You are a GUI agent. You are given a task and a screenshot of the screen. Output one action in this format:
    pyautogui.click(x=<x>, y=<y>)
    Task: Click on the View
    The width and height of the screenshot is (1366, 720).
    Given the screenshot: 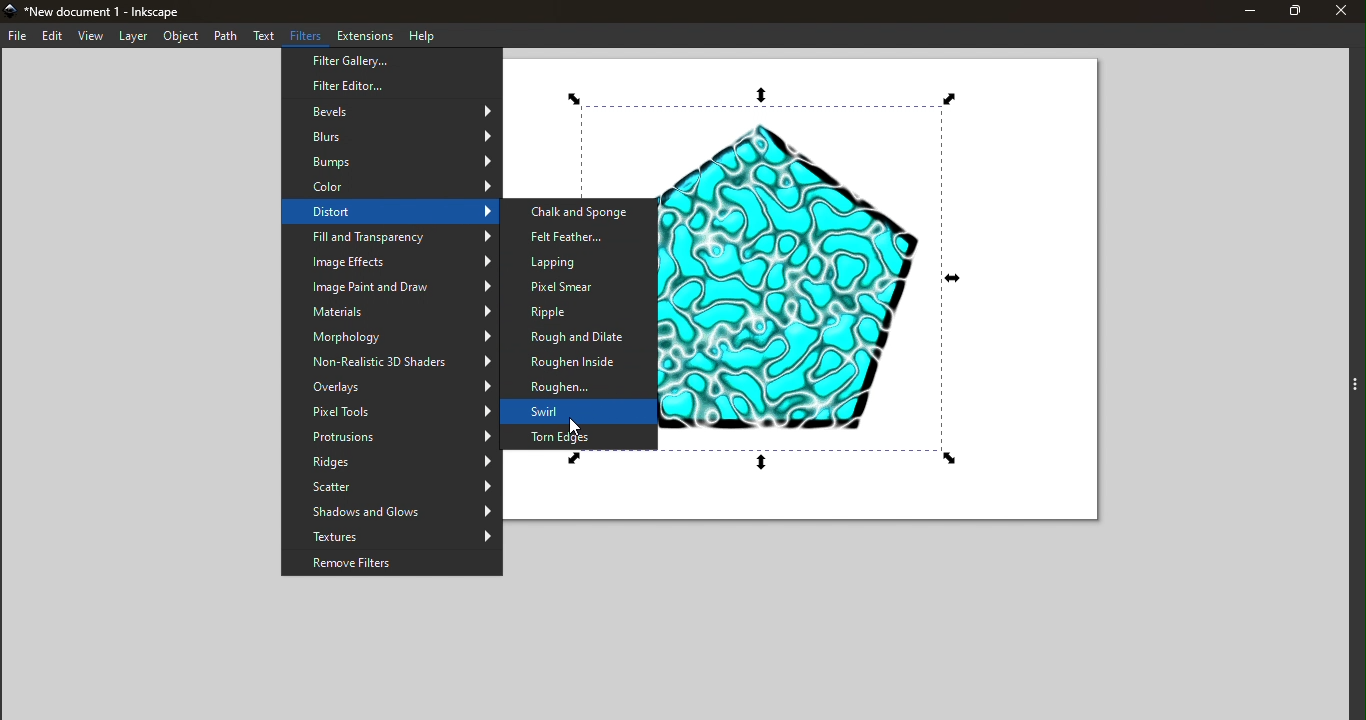 What is the action you would take?
    pyautogui.click(x=91, y=38)
    